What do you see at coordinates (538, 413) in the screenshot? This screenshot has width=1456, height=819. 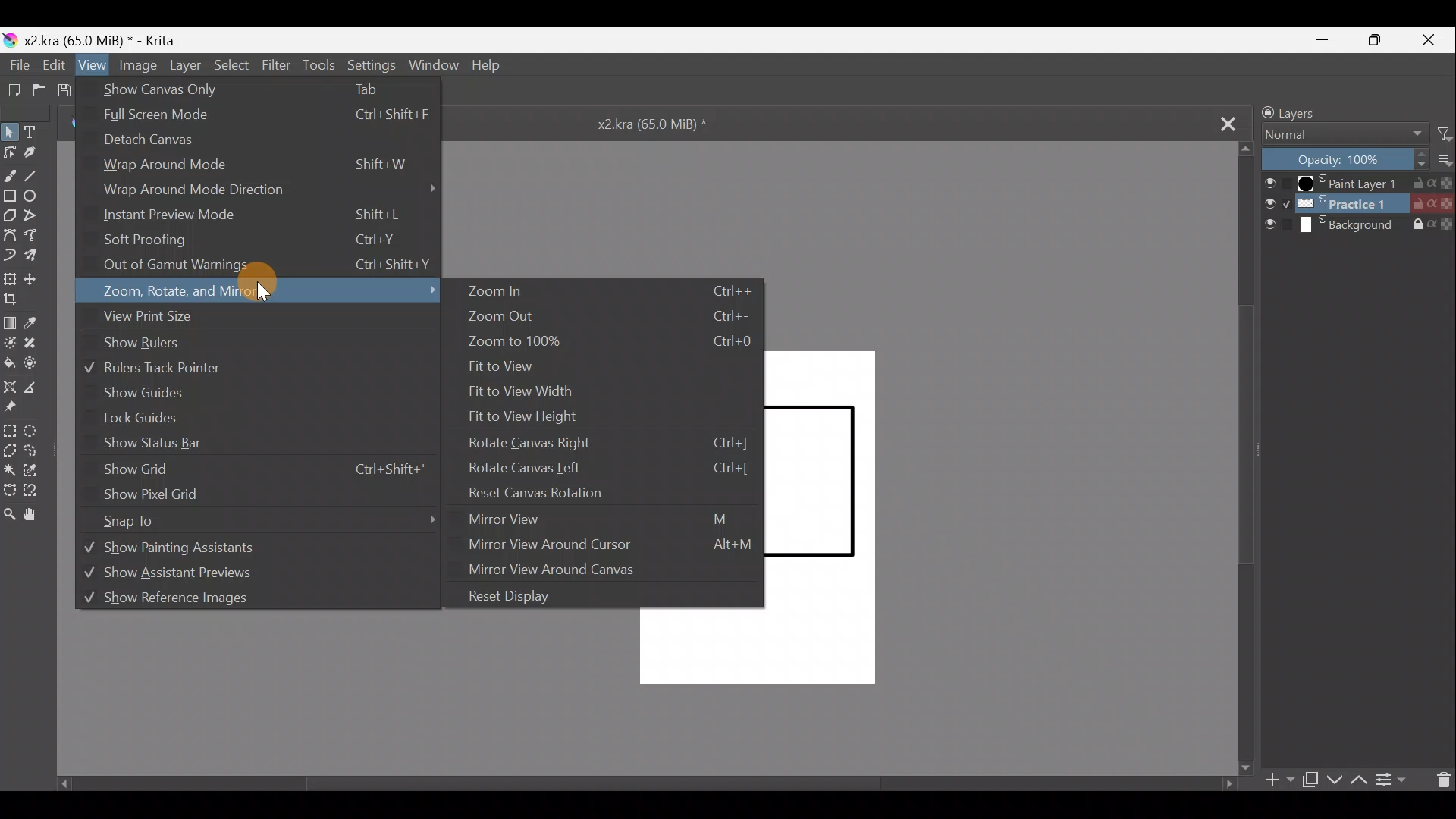 I see `Fit to view height` at bounding box center [538, 413].